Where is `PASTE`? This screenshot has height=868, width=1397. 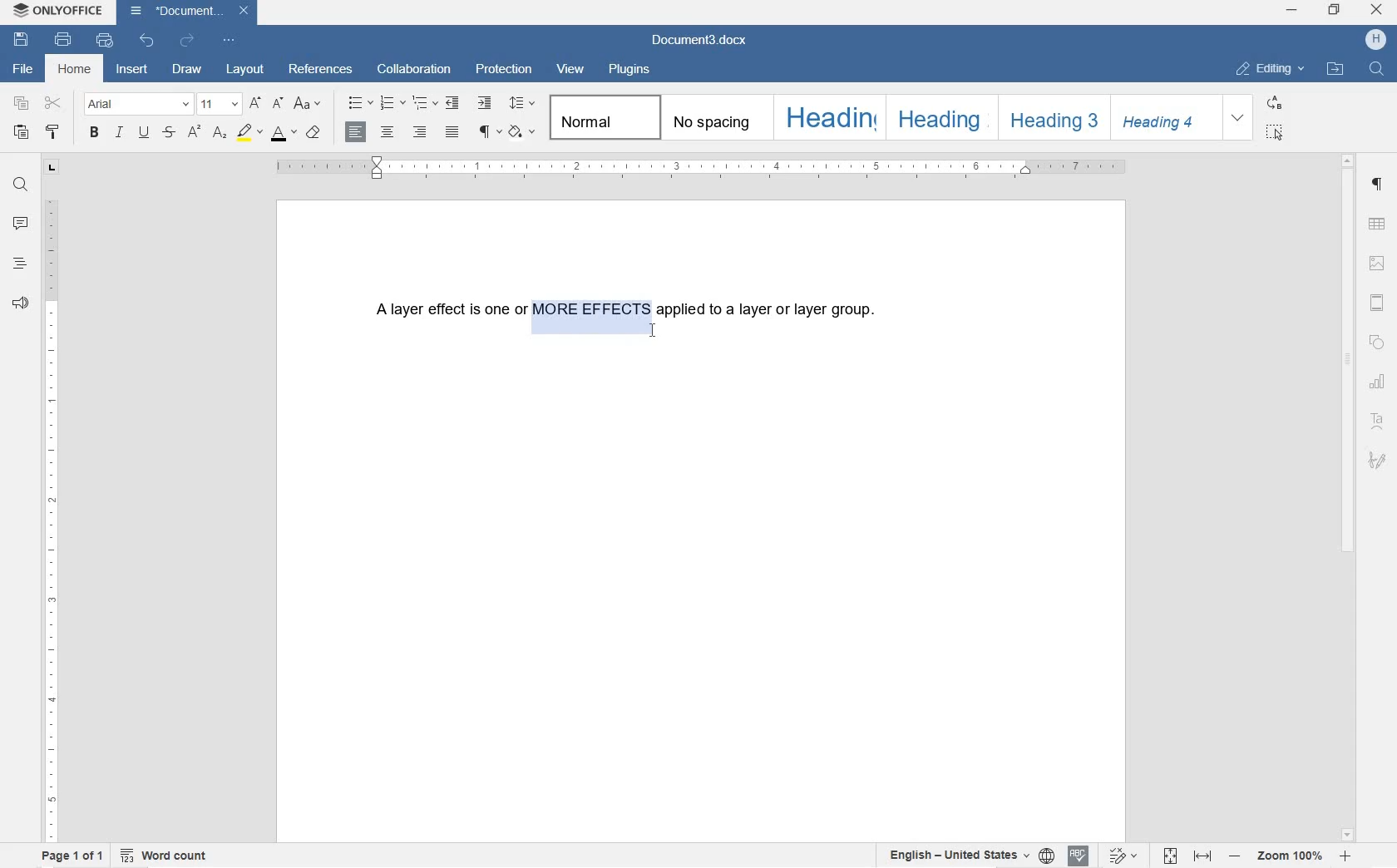
PASTE is located at coordinates (20, 131).